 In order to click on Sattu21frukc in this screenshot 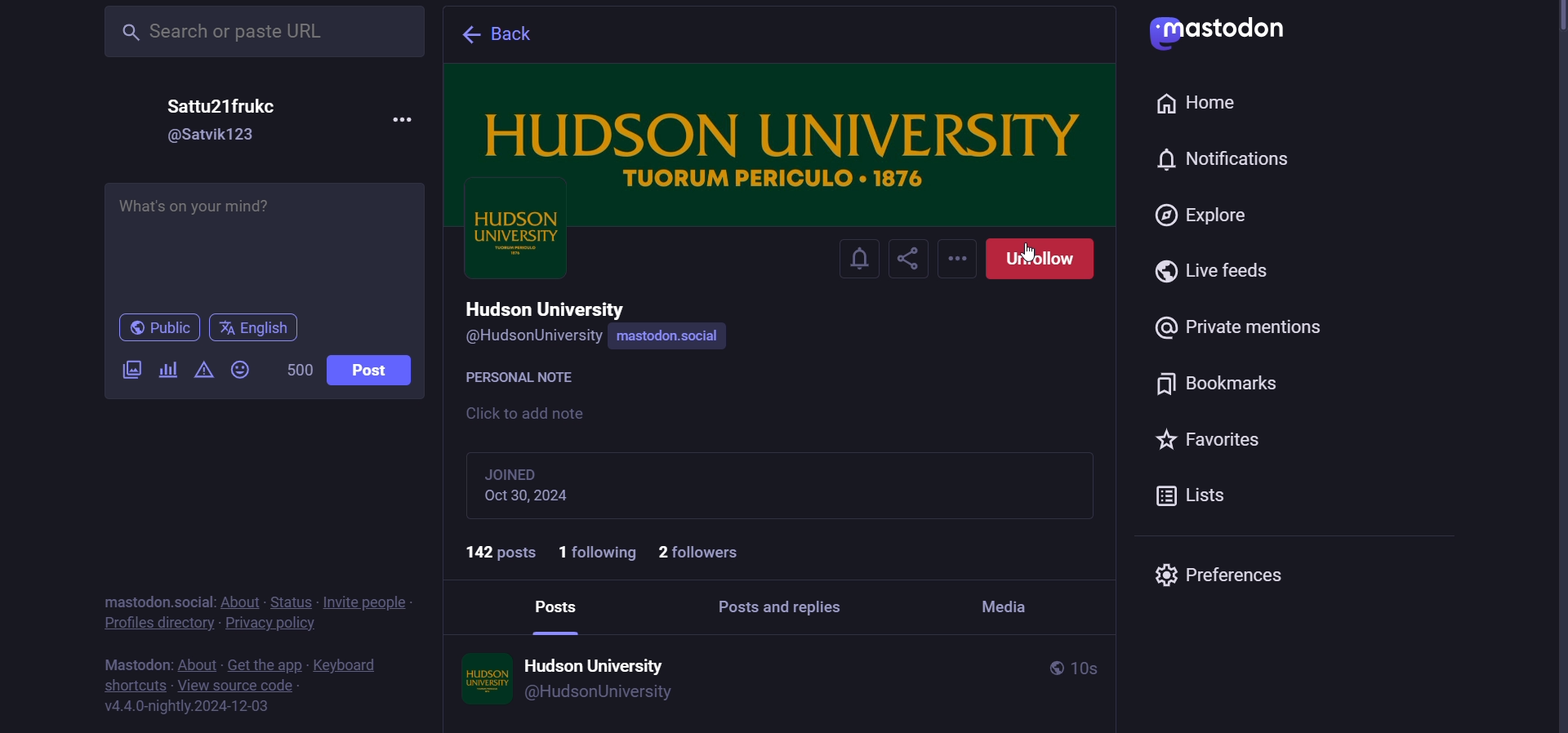, I will do `click(240, 105)`.